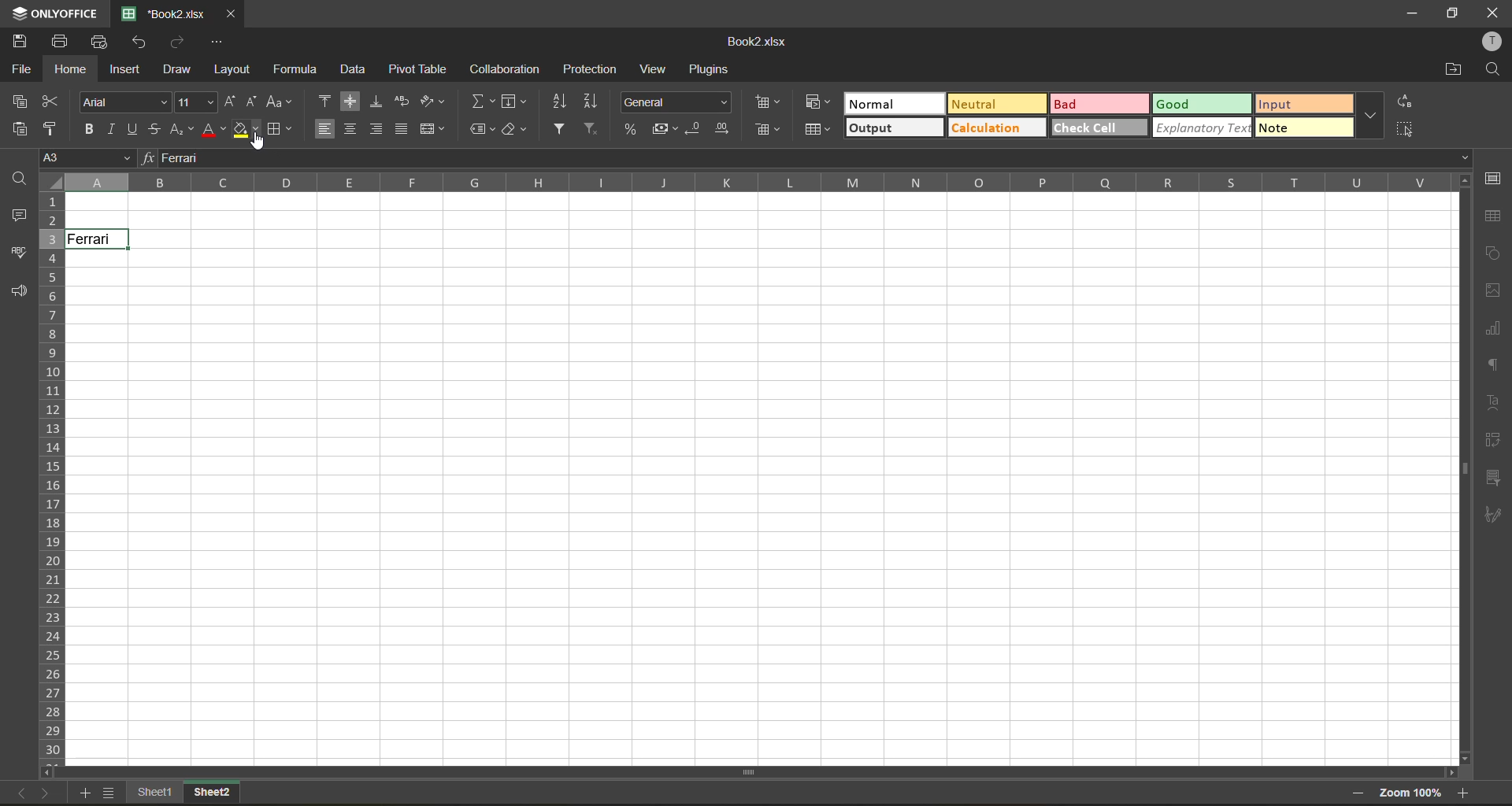 The height and width of the screenshot is (806, 1512). Describe the element at coordinates (18, 255) in the screenshot. I see `spell check` at that location.